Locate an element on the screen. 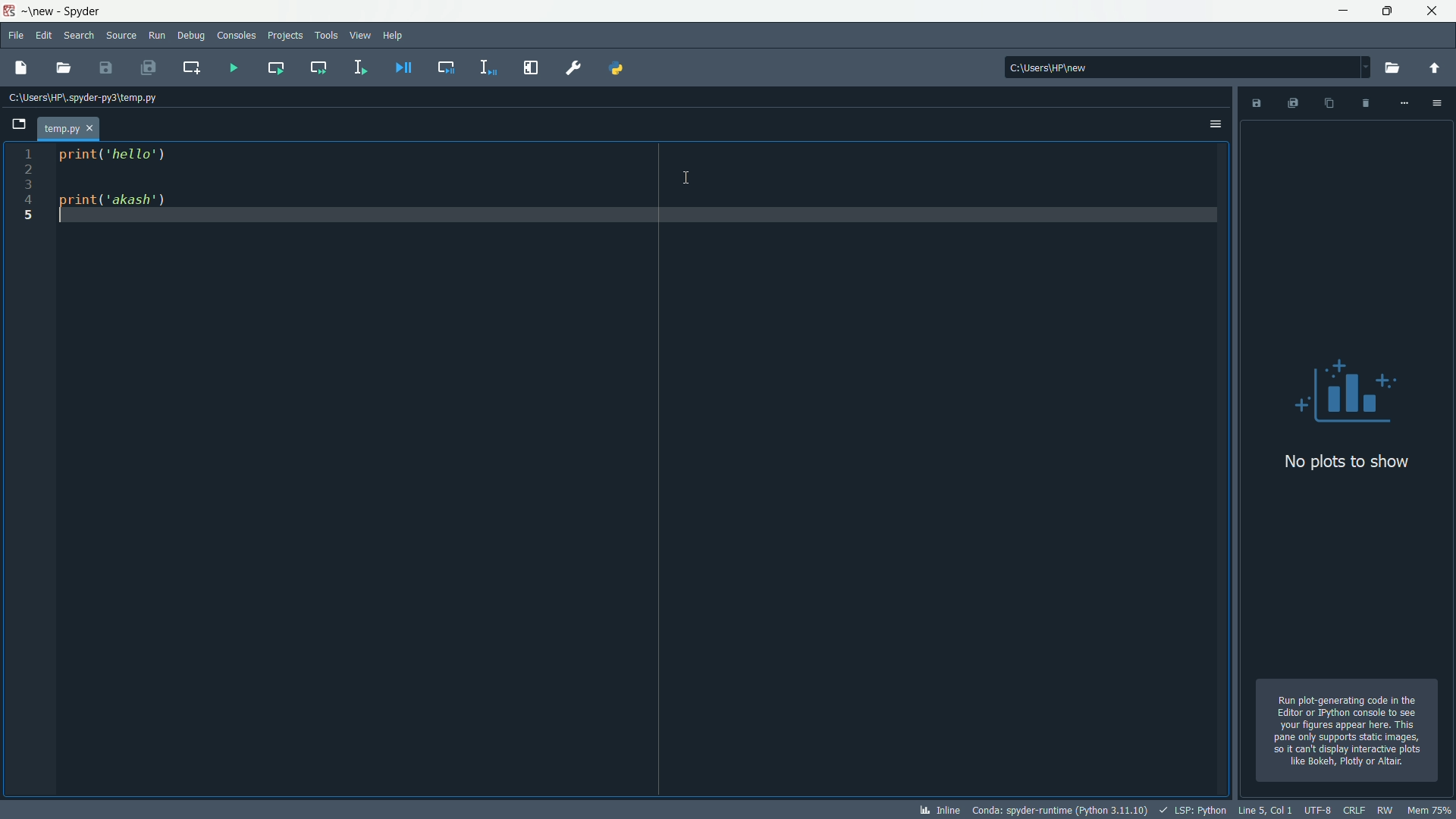 The height and width of the screenshot is (819, 1456). browse tabs is located at coordinates (18, 124).